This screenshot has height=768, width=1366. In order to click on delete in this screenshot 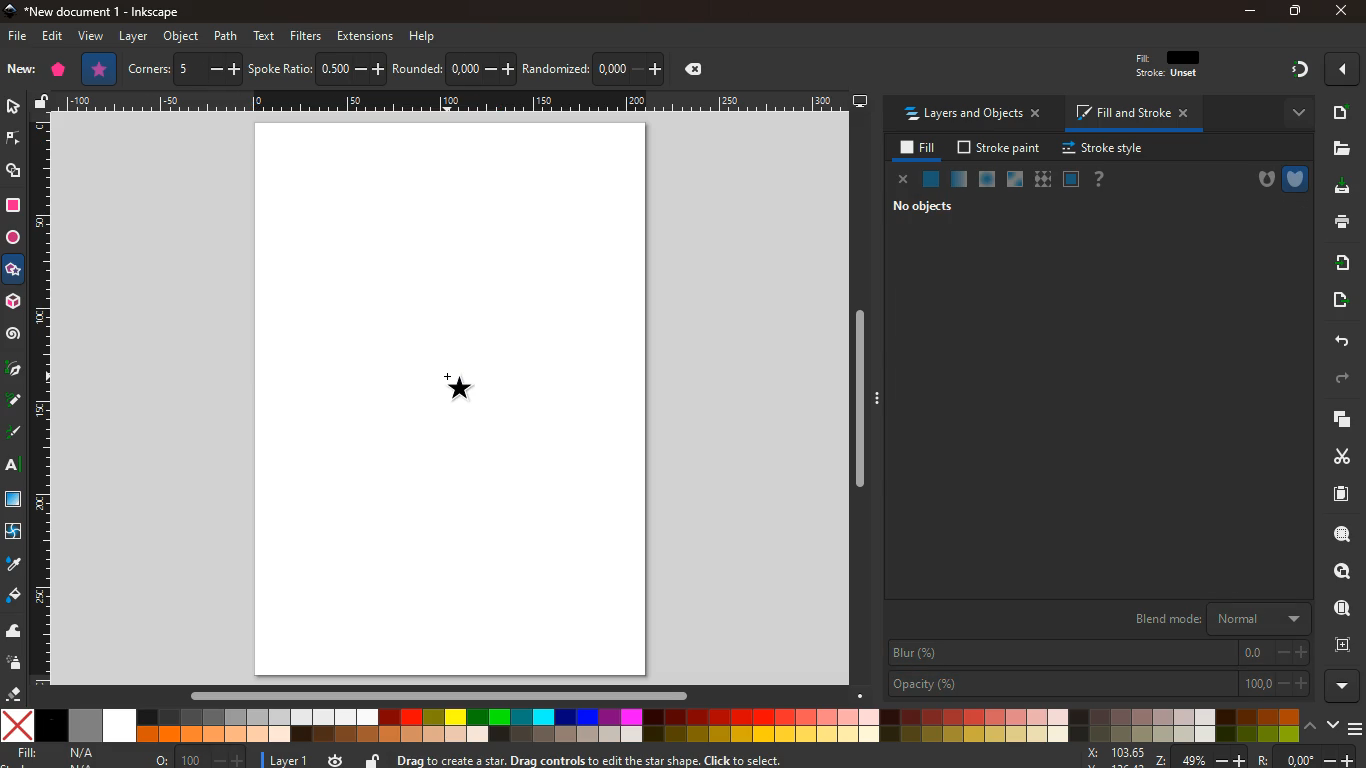, I will do `click(702, 69)`.